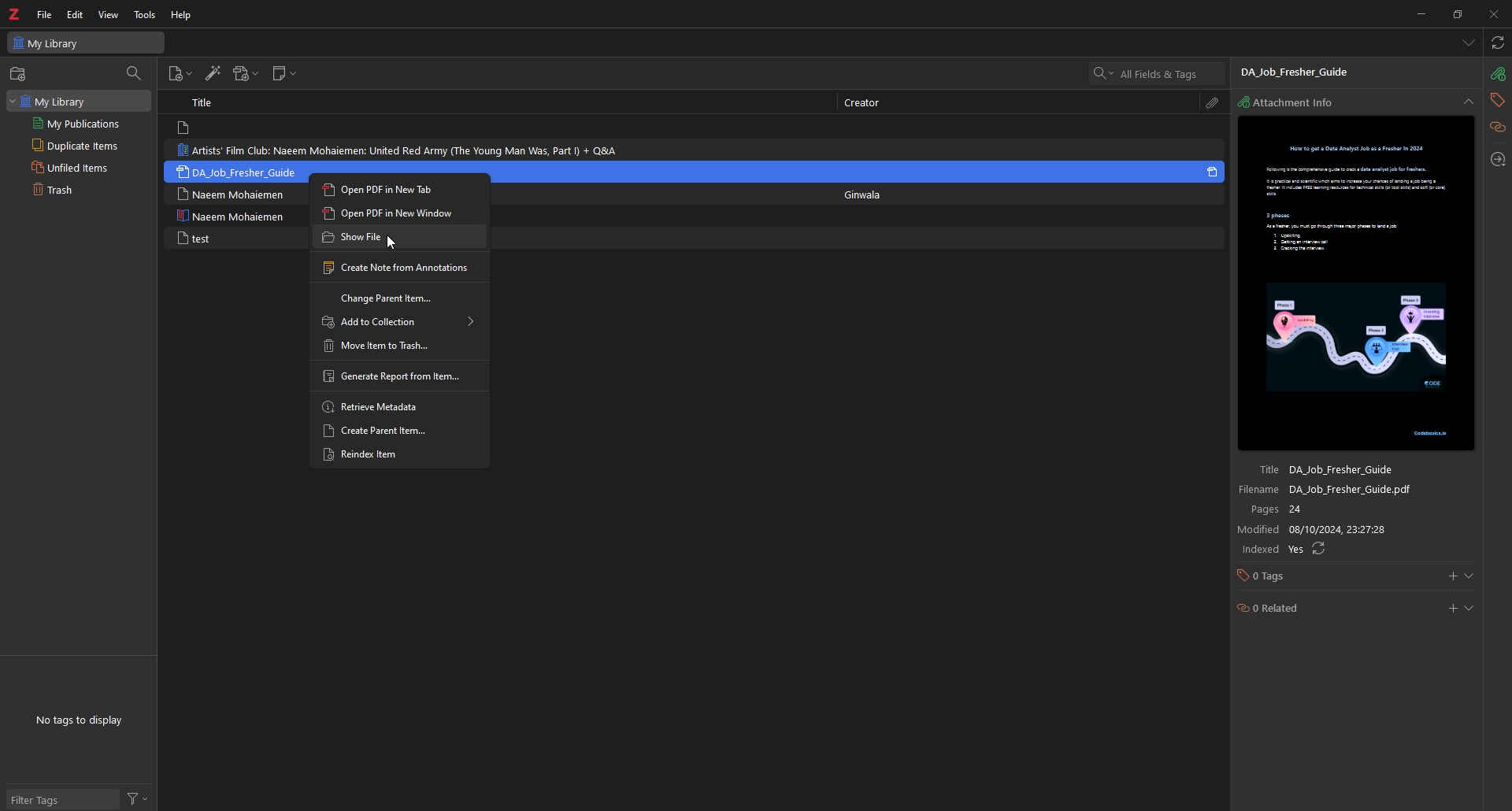 This screenshot has height=811, width=1512. What do you see at coordinates (402, 346) in the screenshot?
I see `move item to trash` at bounding box center [402, 346].